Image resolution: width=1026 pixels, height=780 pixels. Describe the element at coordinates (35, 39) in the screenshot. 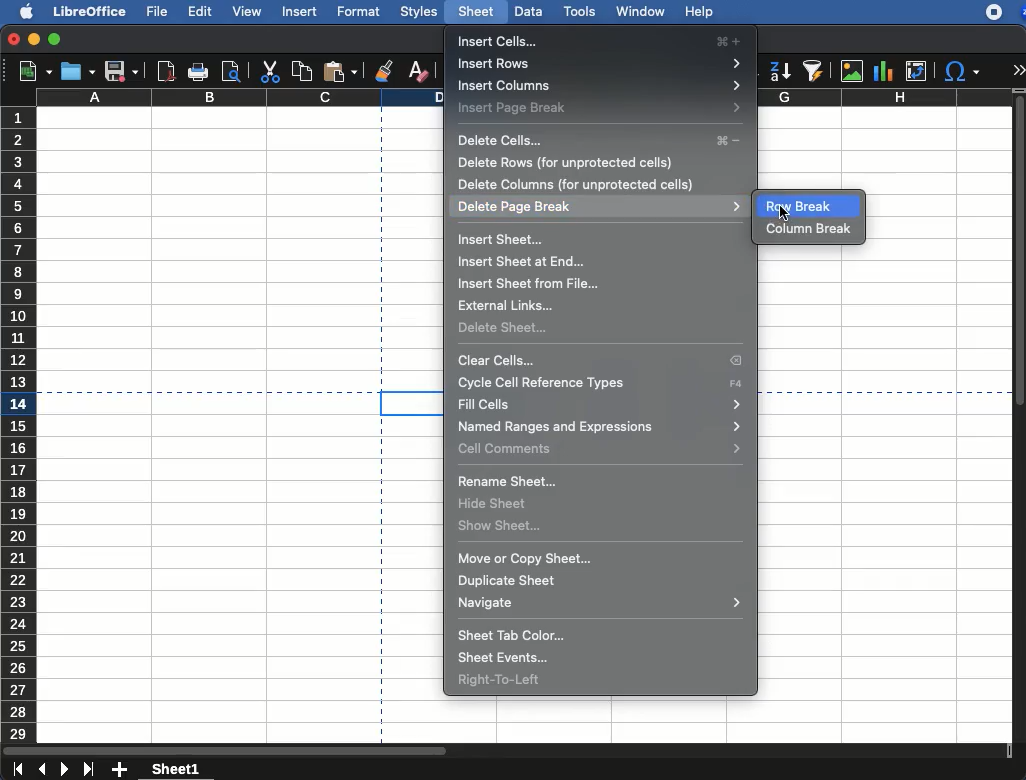

I see `minimize` at that location.